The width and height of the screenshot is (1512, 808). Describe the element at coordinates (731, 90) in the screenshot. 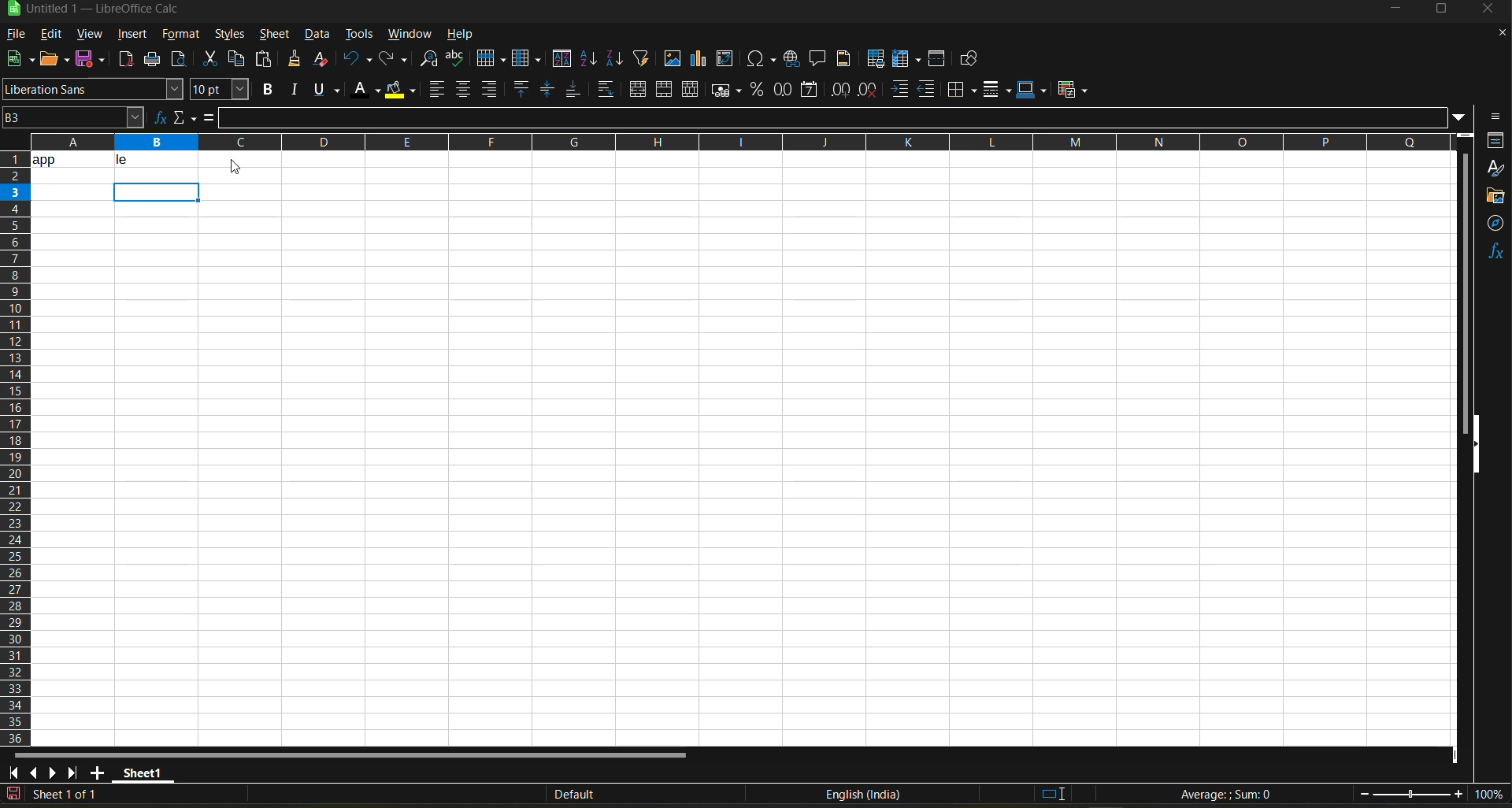

I see `format as currency` at that location.